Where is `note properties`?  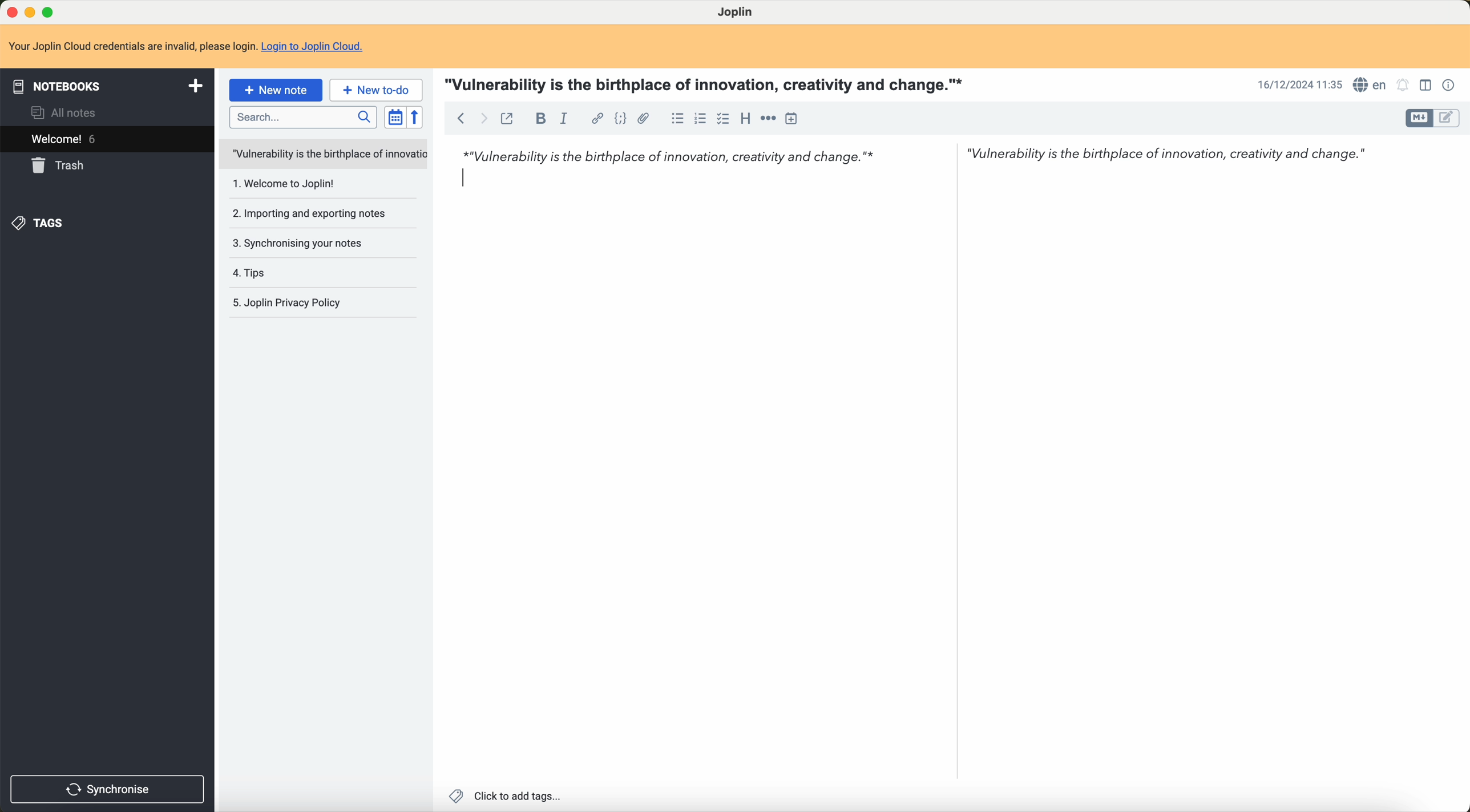
note properties is located at coordinates (1449, 85).